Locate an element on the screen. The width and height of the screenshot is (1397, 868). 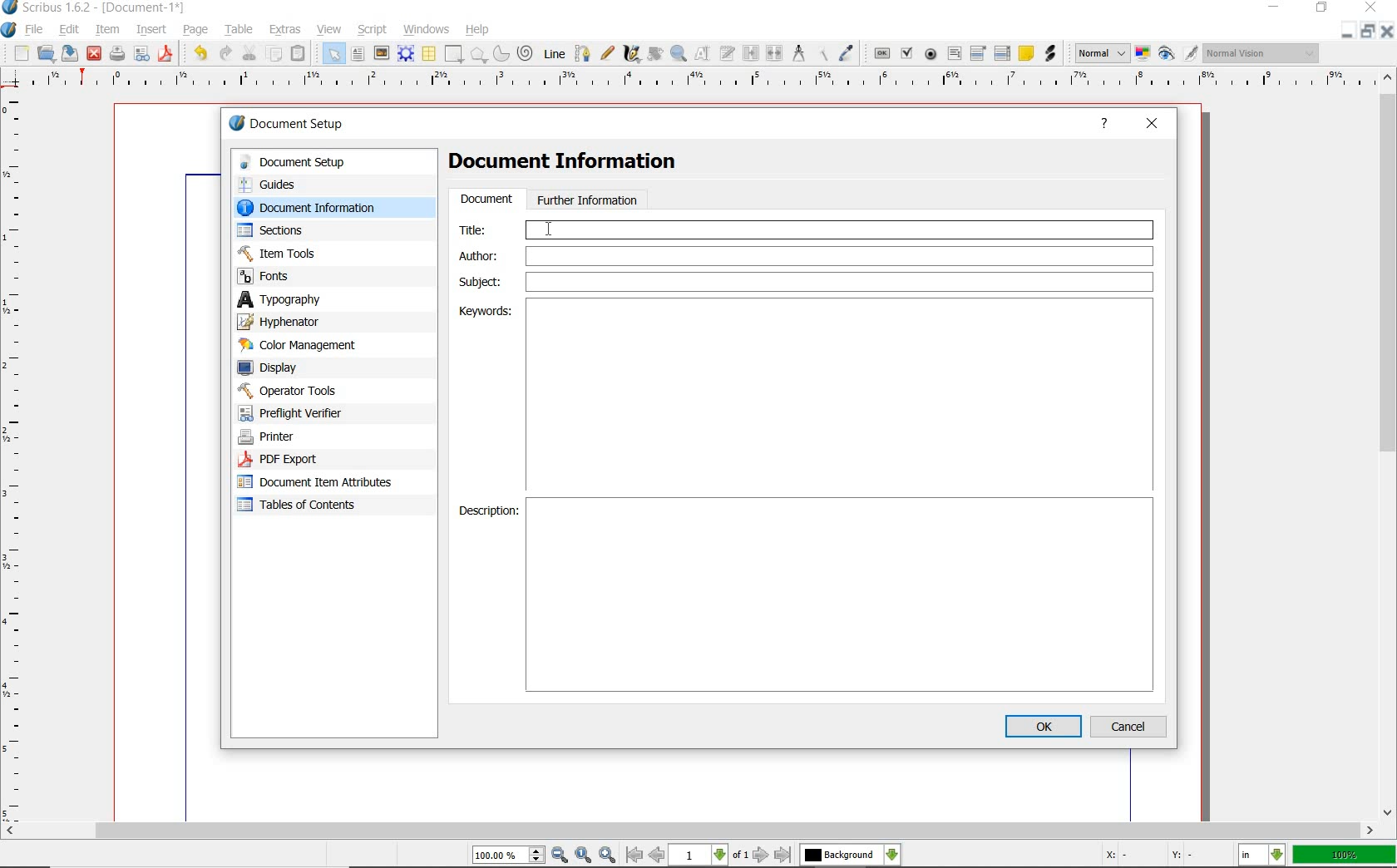
guides is located at coordinates (318, 184).